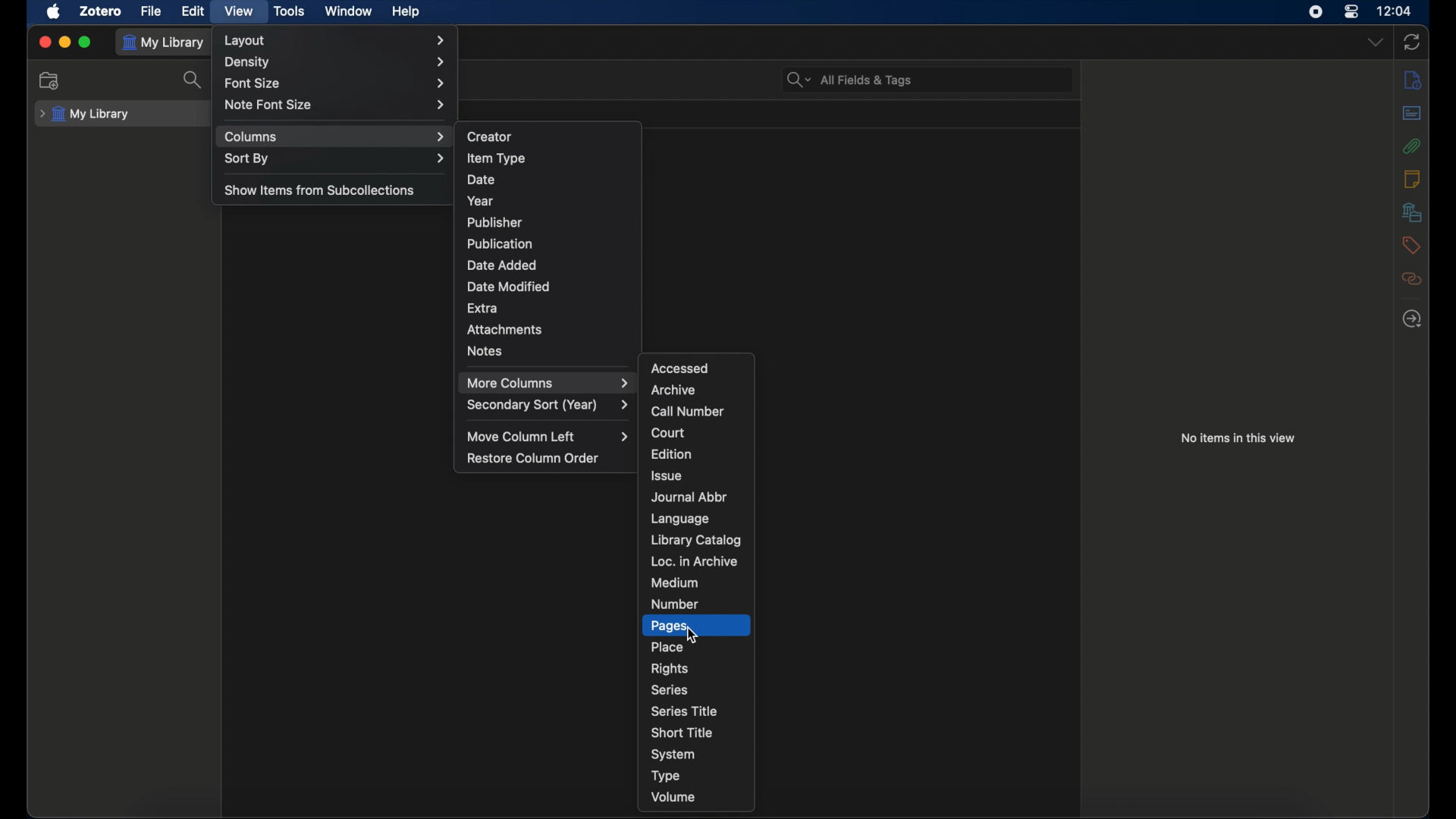  What do you see at coordinates (533, 458) in the screenshot?
I see `restore column order` at bounding box center [533, 458].